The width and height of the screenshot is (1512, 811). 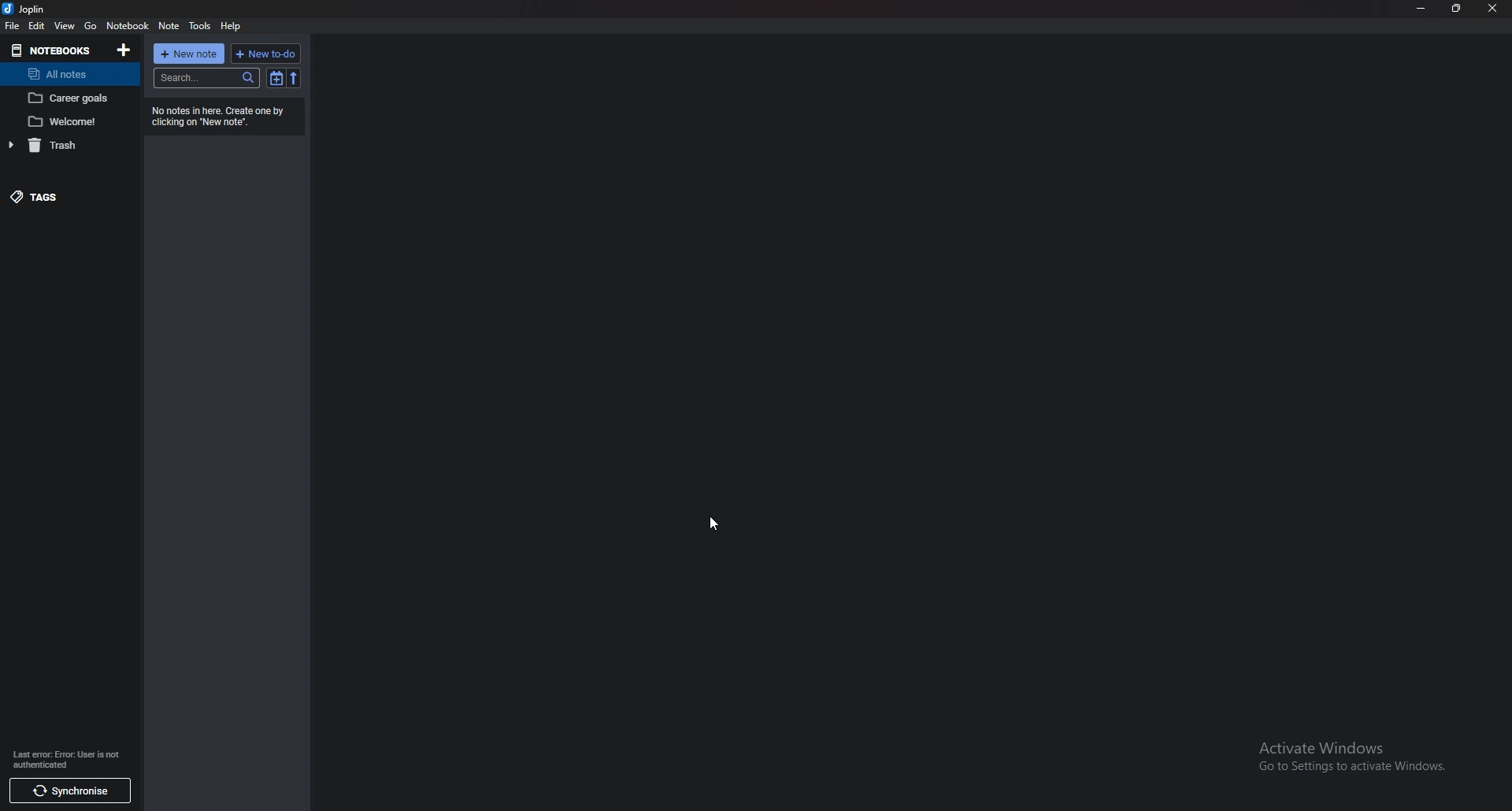 What do you see at coordinates (65, 25) in the screenshot?
I see `view` at bounding box center [65, 25].